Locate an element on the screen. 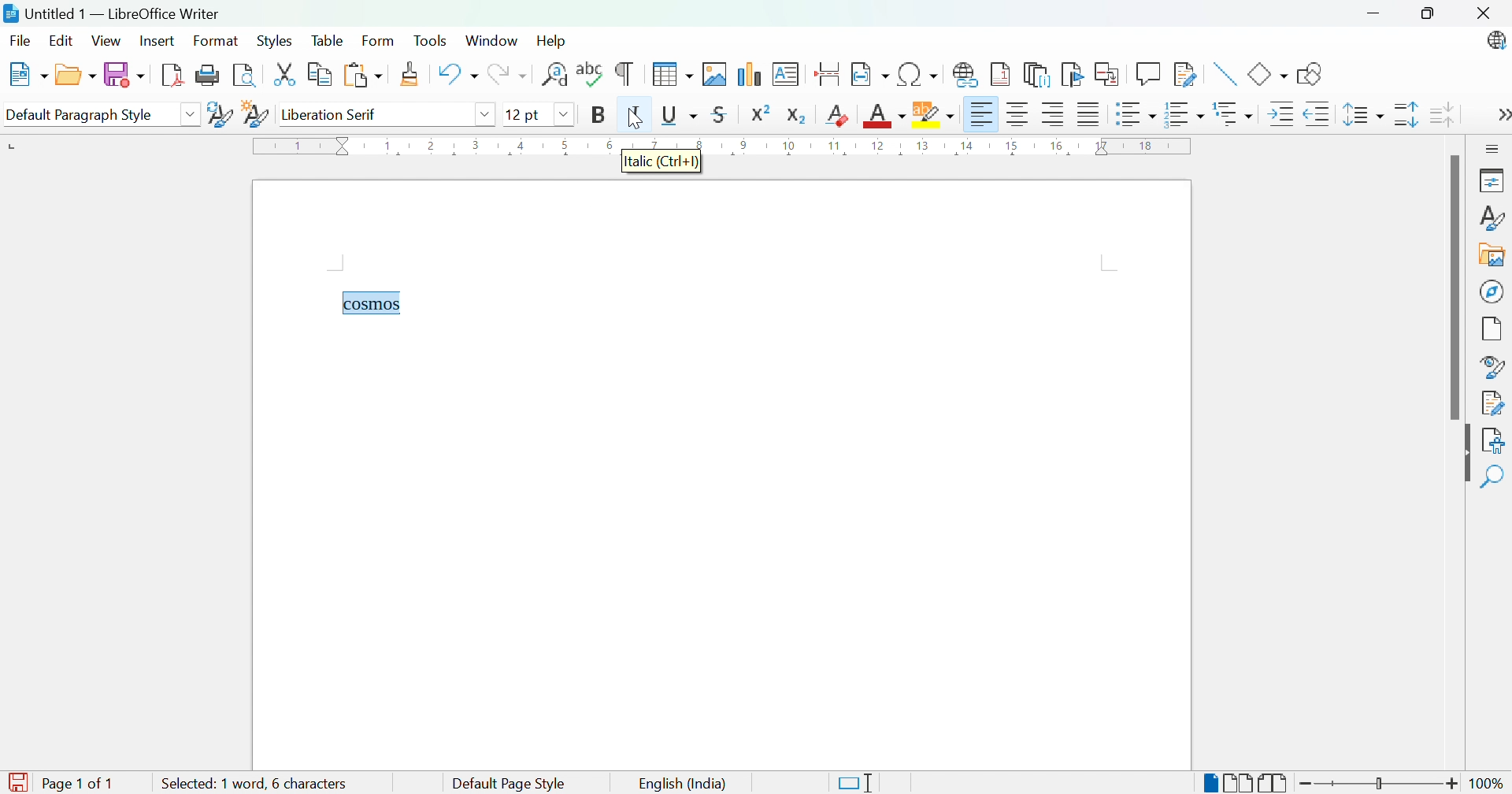 This screenshot has height=794, width=1512. Check spelling is located at coordinates (591, 73).